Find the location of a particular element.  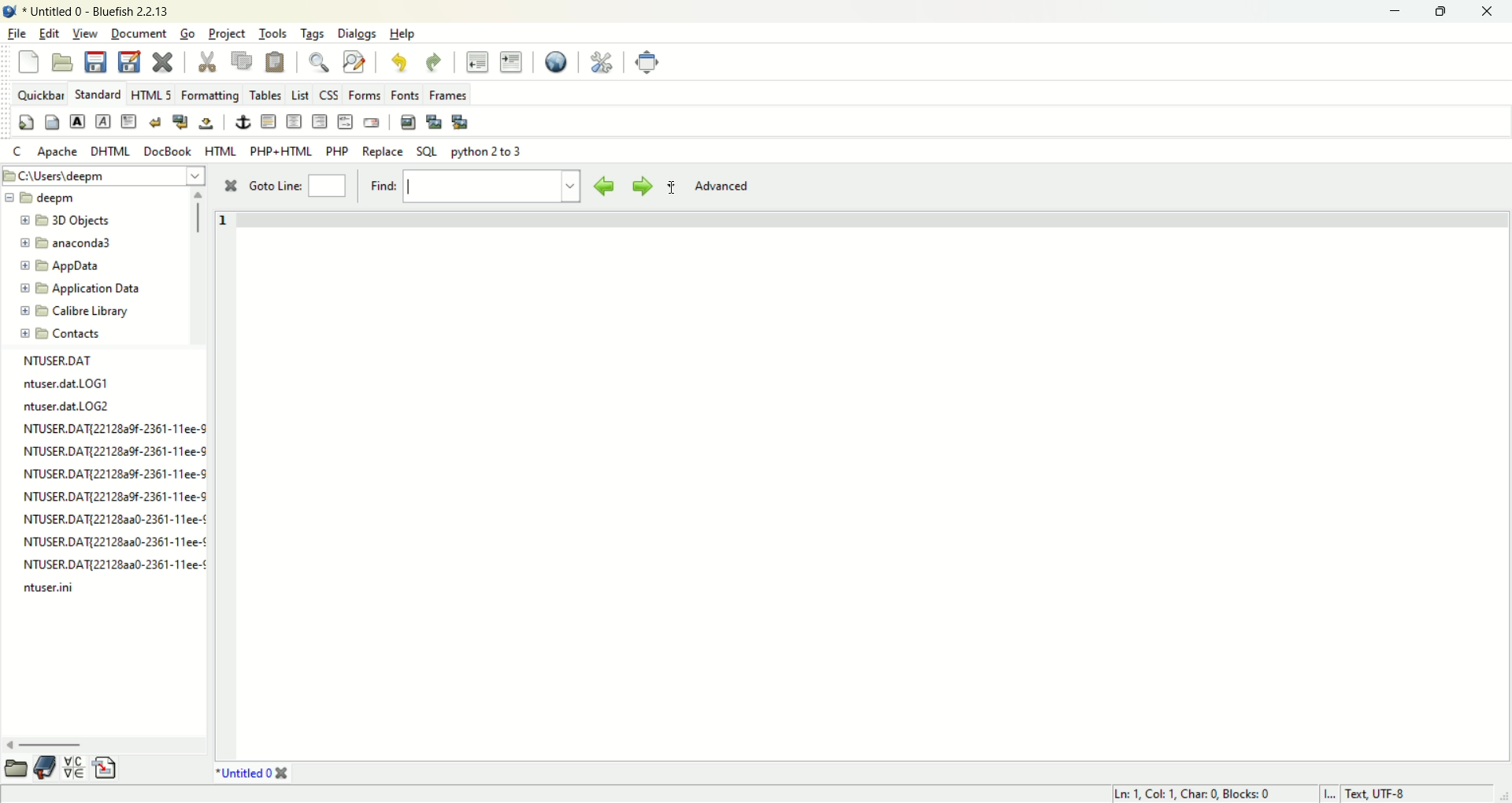

formatting is located at coordinates (209, 98).